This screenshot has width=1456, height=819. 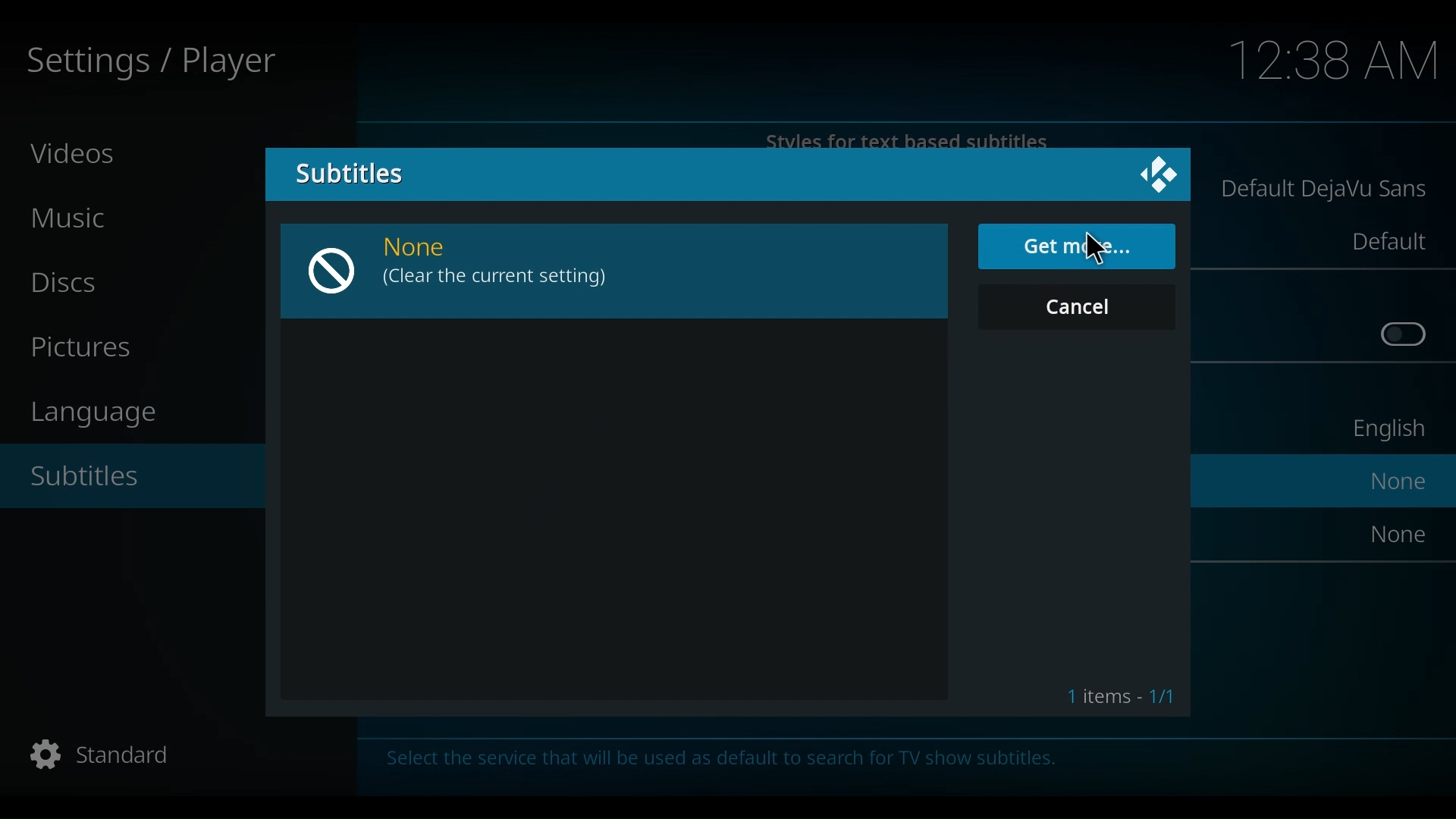 I want to click on Pictures, so click(x=88, y=349).